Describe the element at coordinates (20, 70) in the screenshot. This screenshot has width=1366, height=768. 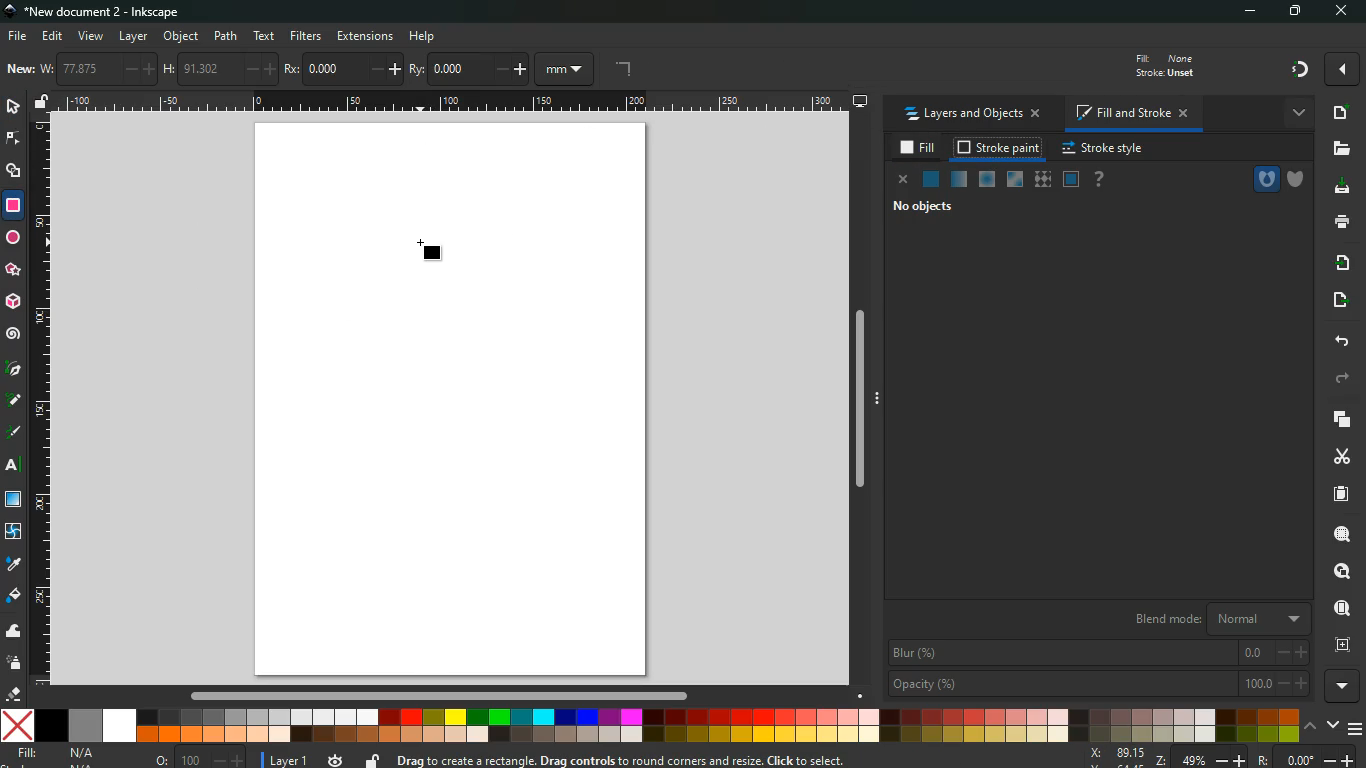
I see `new` at that location.